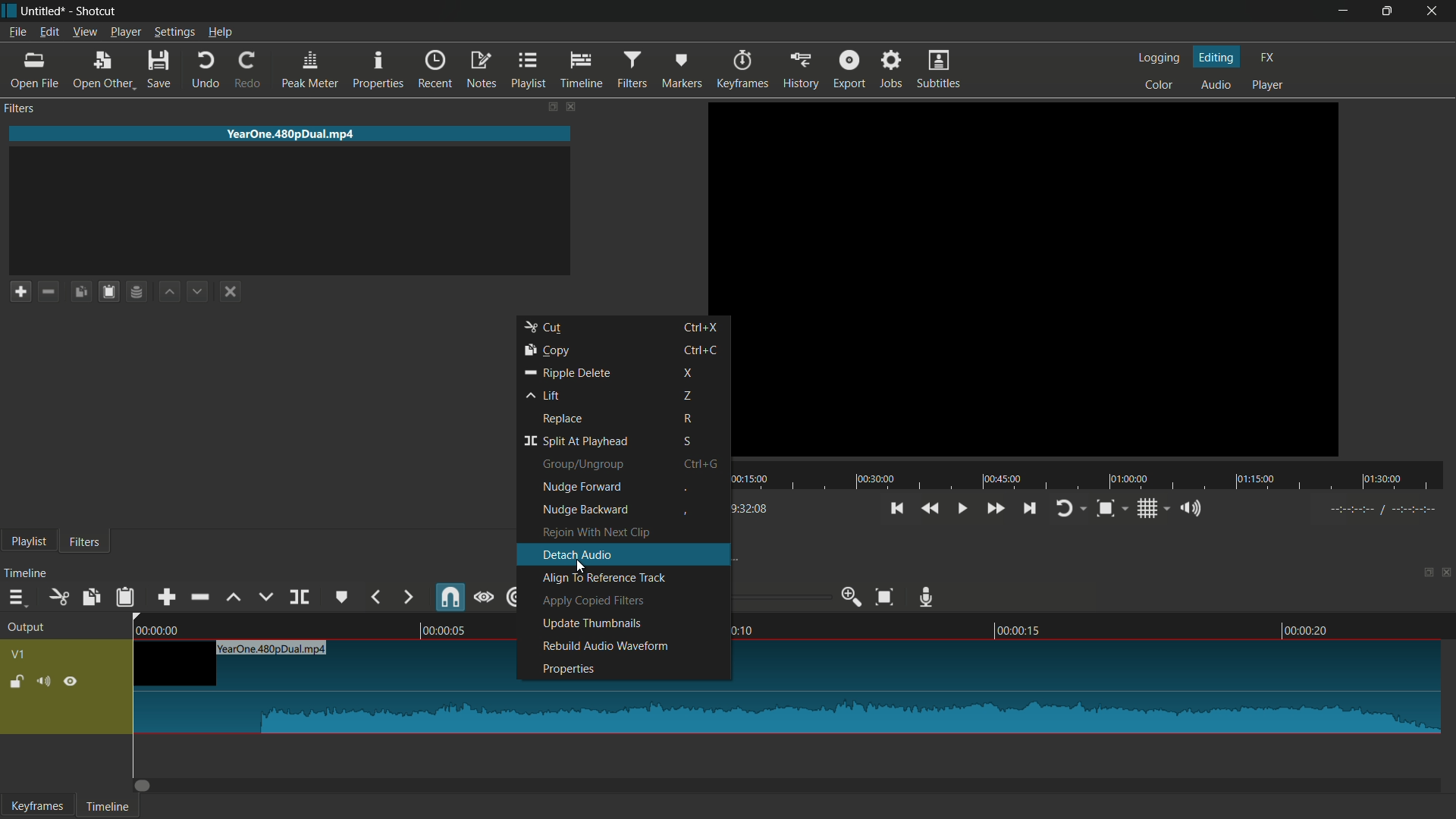 This screenshot has width=1456, height=819. I want to click on close app, so click(1434, 11).